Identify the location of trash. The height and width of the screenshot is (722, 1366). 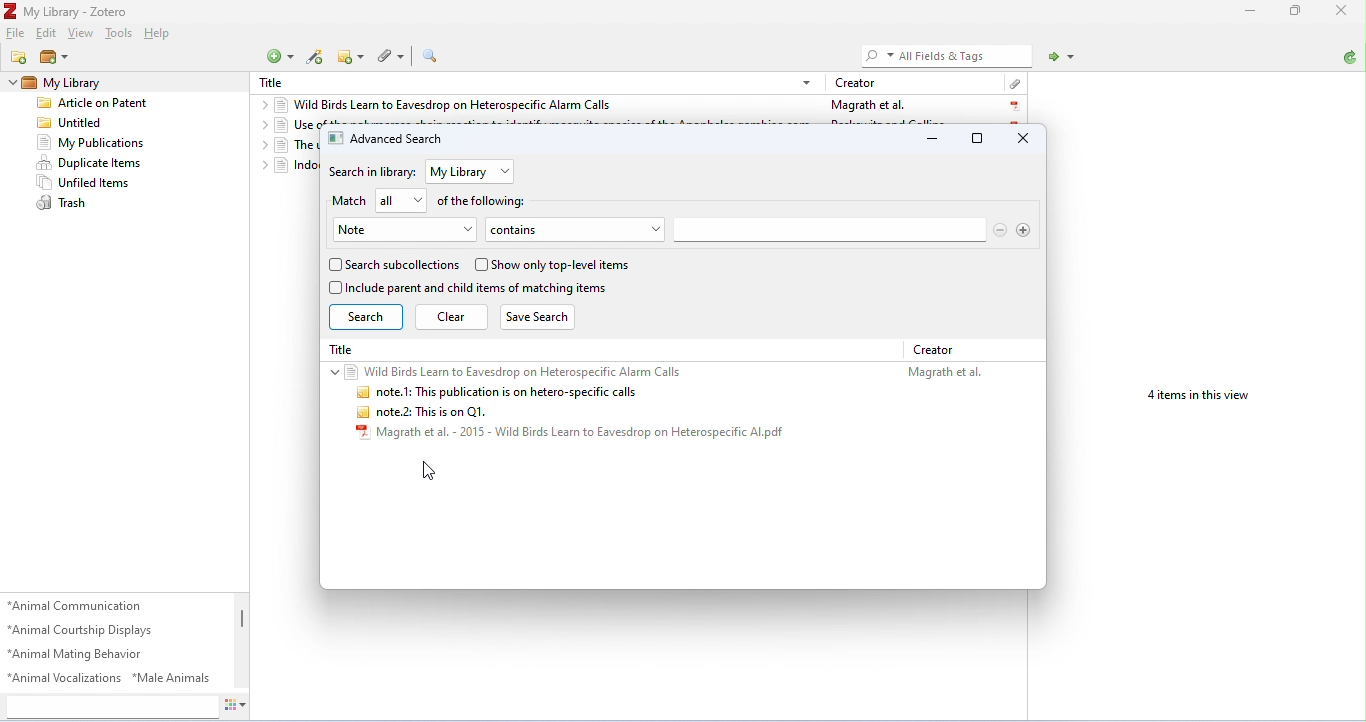
(63, 204).